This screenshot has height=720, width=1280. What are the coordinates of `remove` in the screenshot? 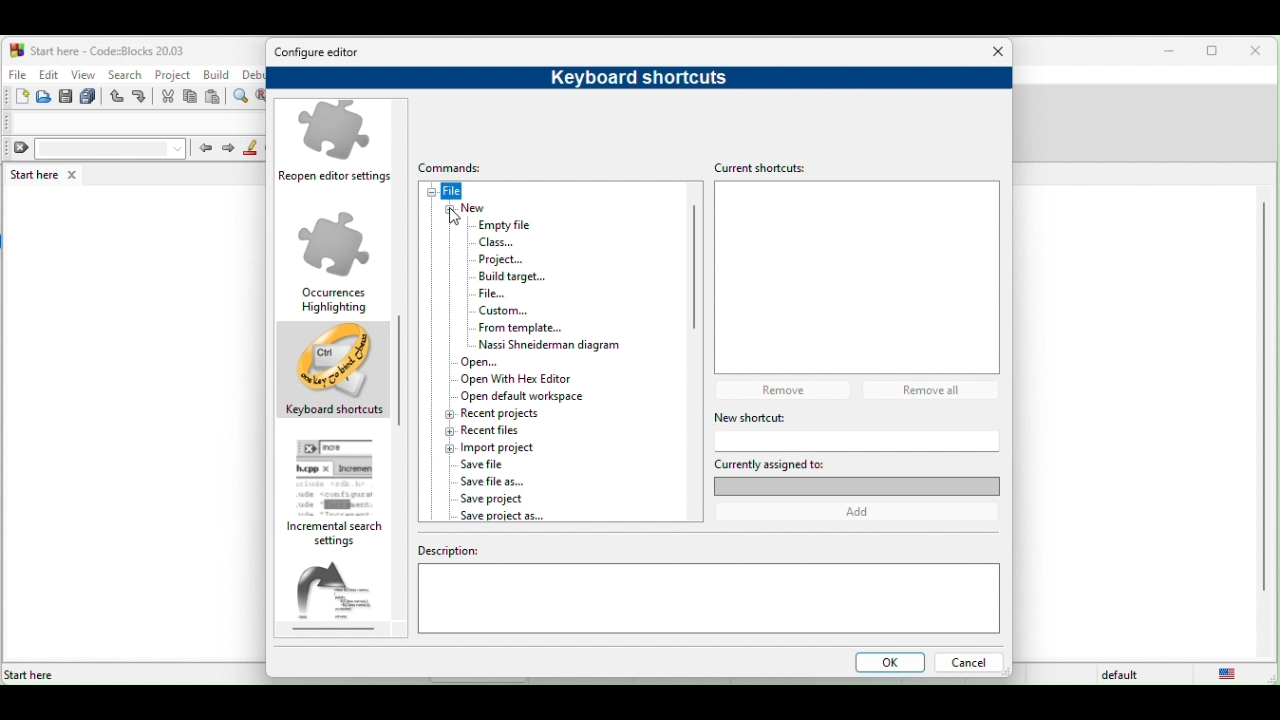 It's located at (788, 389).